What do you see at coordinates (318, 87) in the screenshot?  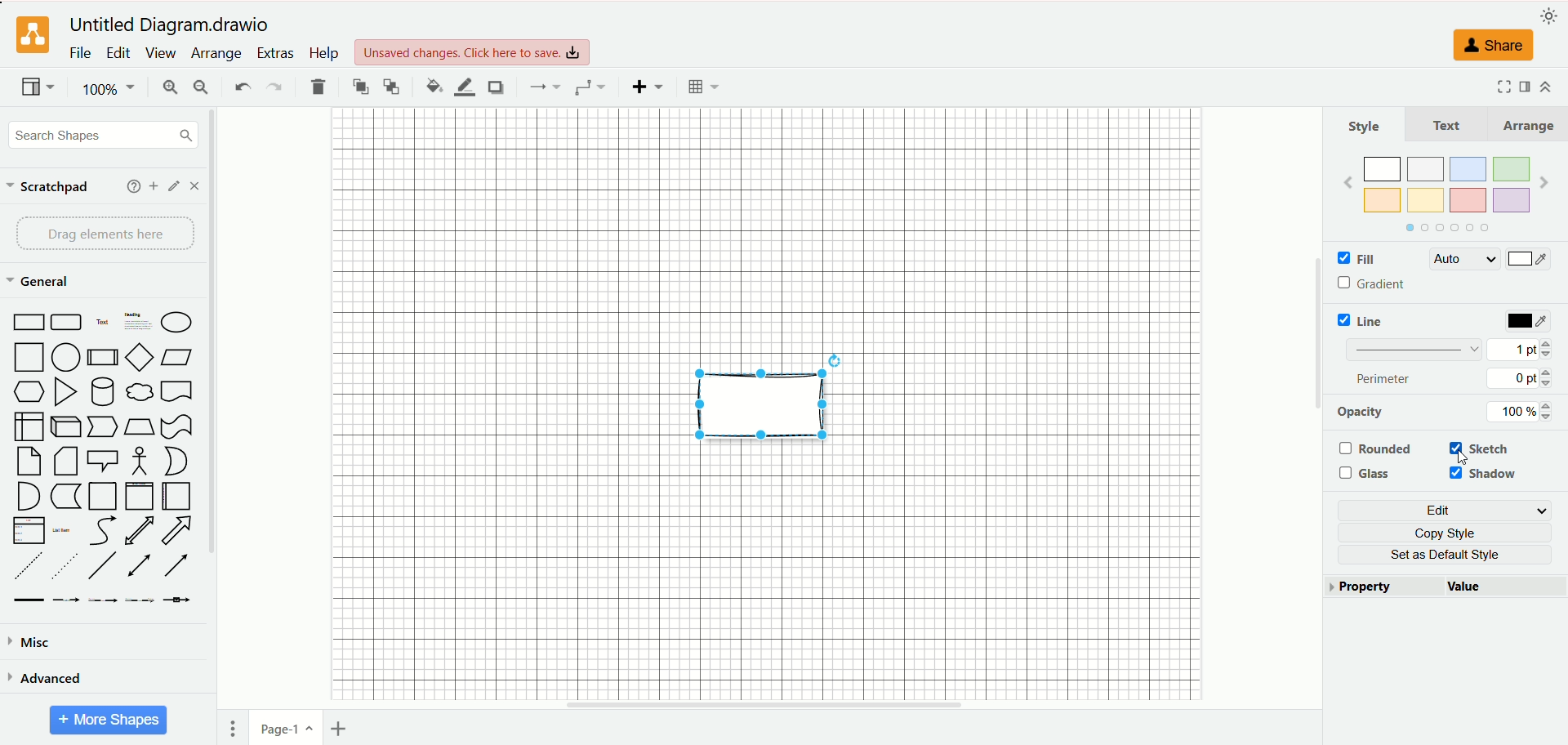 I see `delete` at bounding box center [318, 87].